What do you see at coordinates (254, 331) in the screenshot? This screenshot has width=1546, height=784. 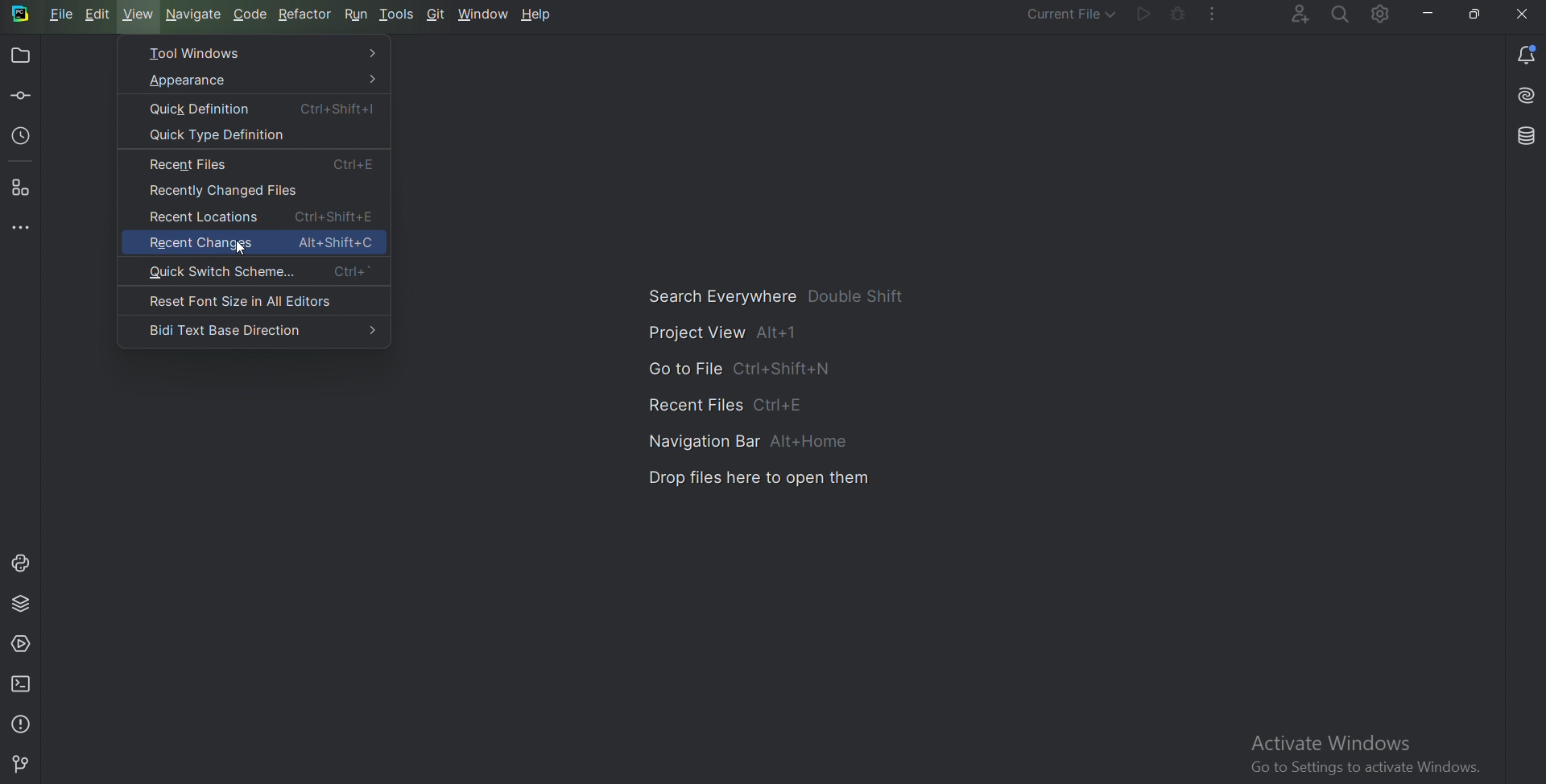 I see `Bidi text base direction` at bounding box center [254, 331].